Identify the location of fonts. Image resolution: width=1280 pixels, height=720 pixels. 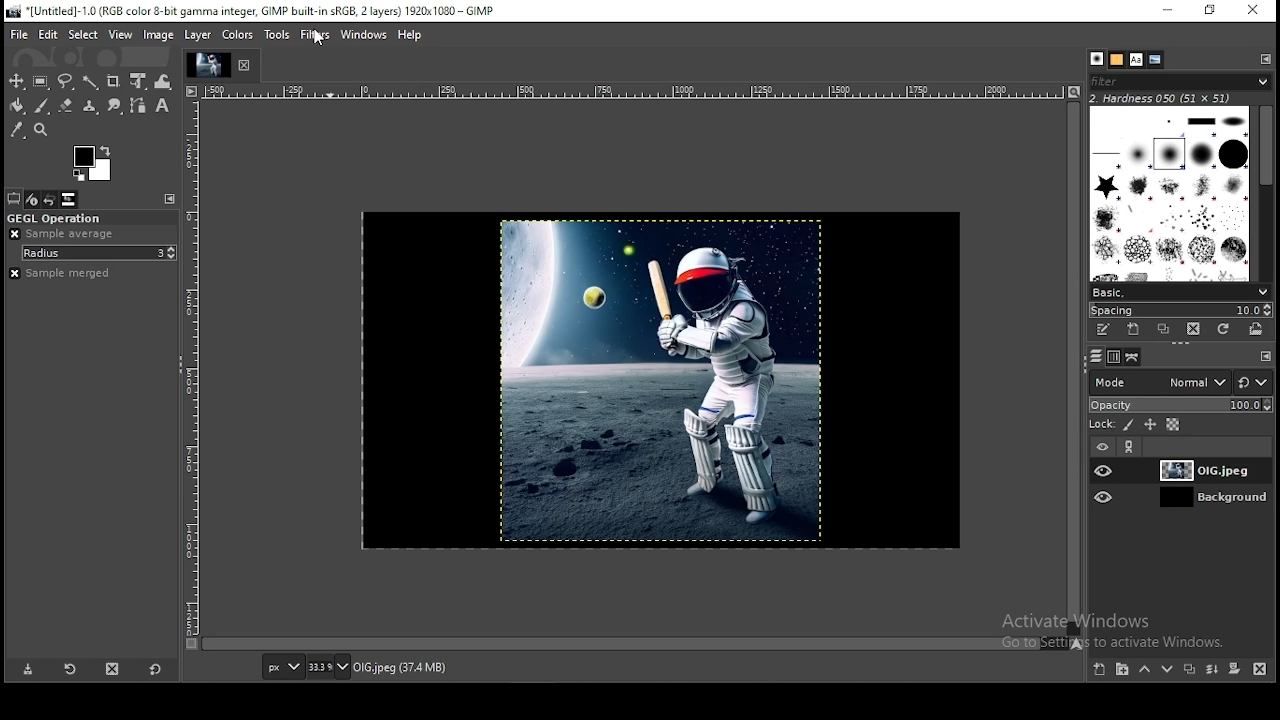
(1136, 60).